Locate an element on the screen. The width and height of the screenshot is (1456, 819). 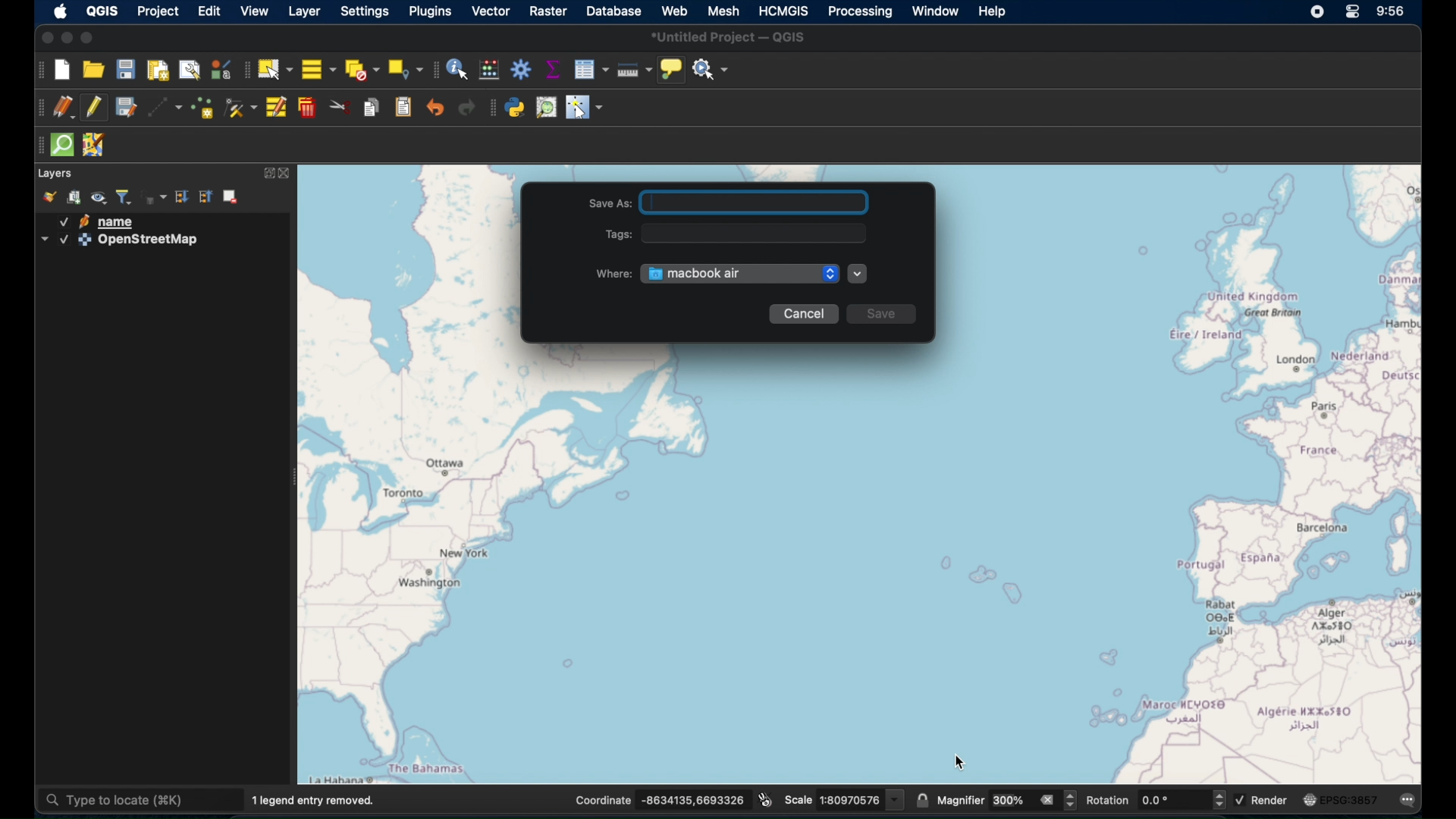
rotation is located at coordinates (1154, 800).